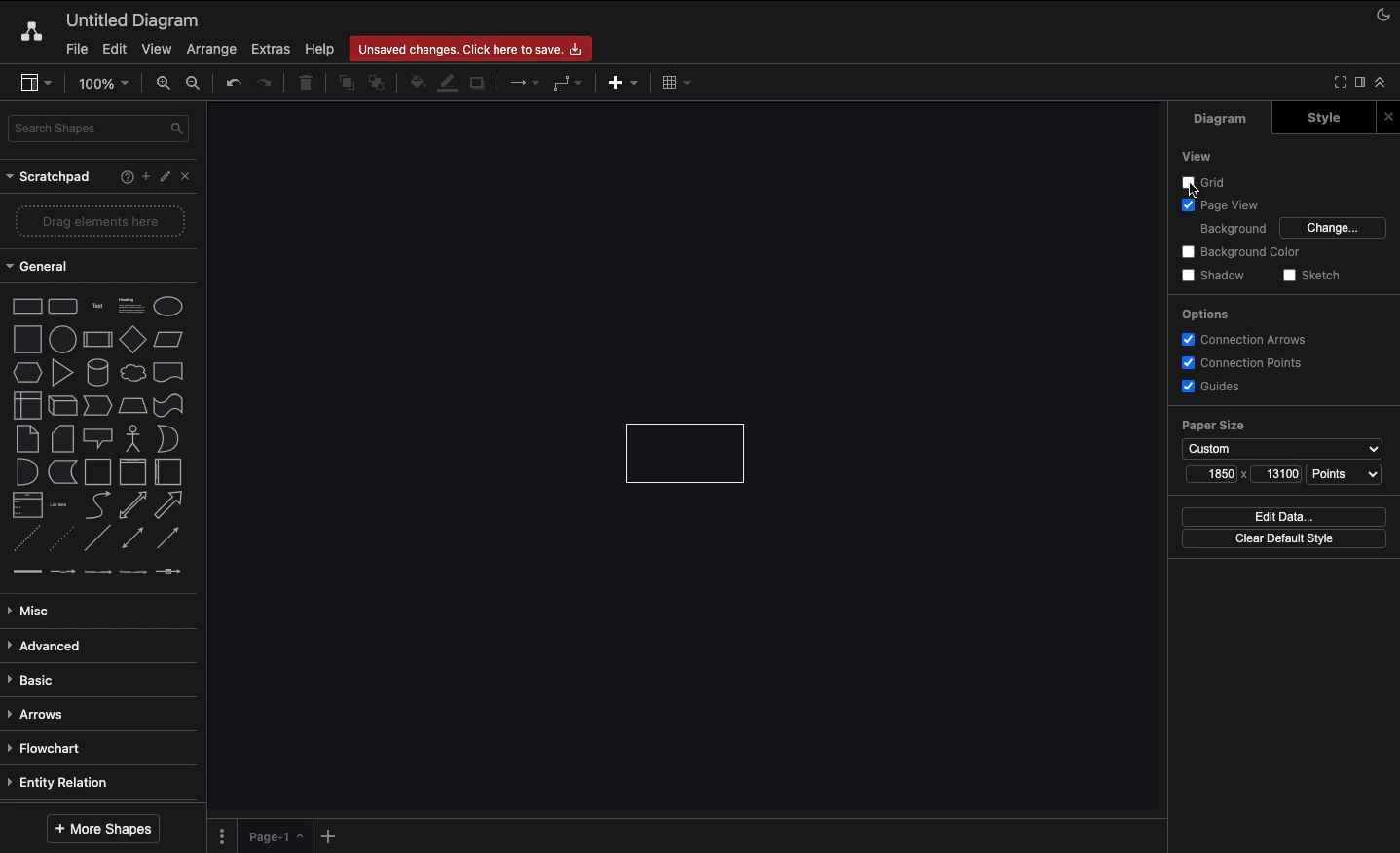  What do you see at coordinates (1283, 538) in the screenshot?
I see `Clear default style` at bounding box center [1283, 538].